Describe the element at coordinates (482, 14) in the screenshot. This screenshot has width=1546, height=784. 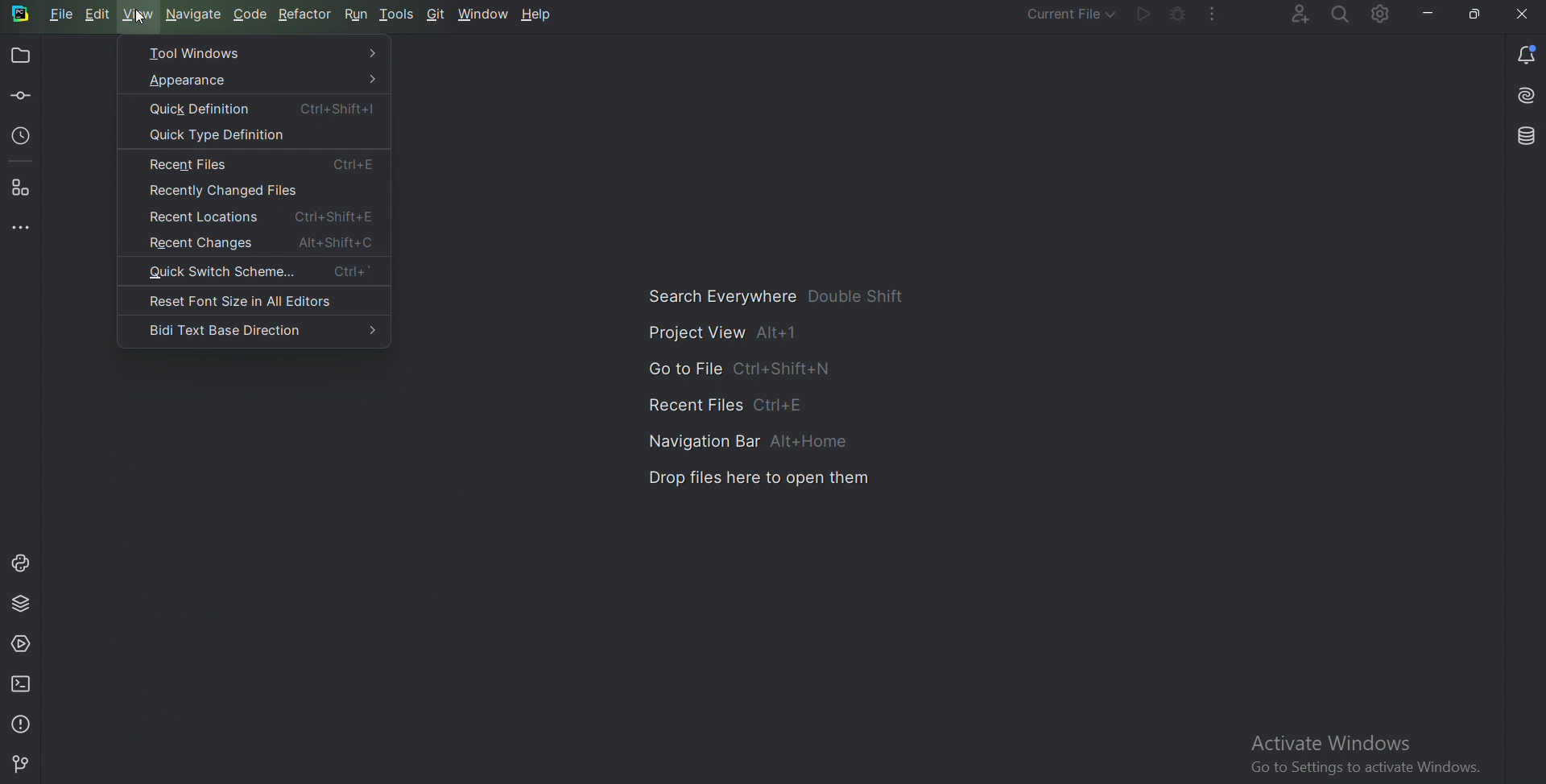
I see `window` at that location.